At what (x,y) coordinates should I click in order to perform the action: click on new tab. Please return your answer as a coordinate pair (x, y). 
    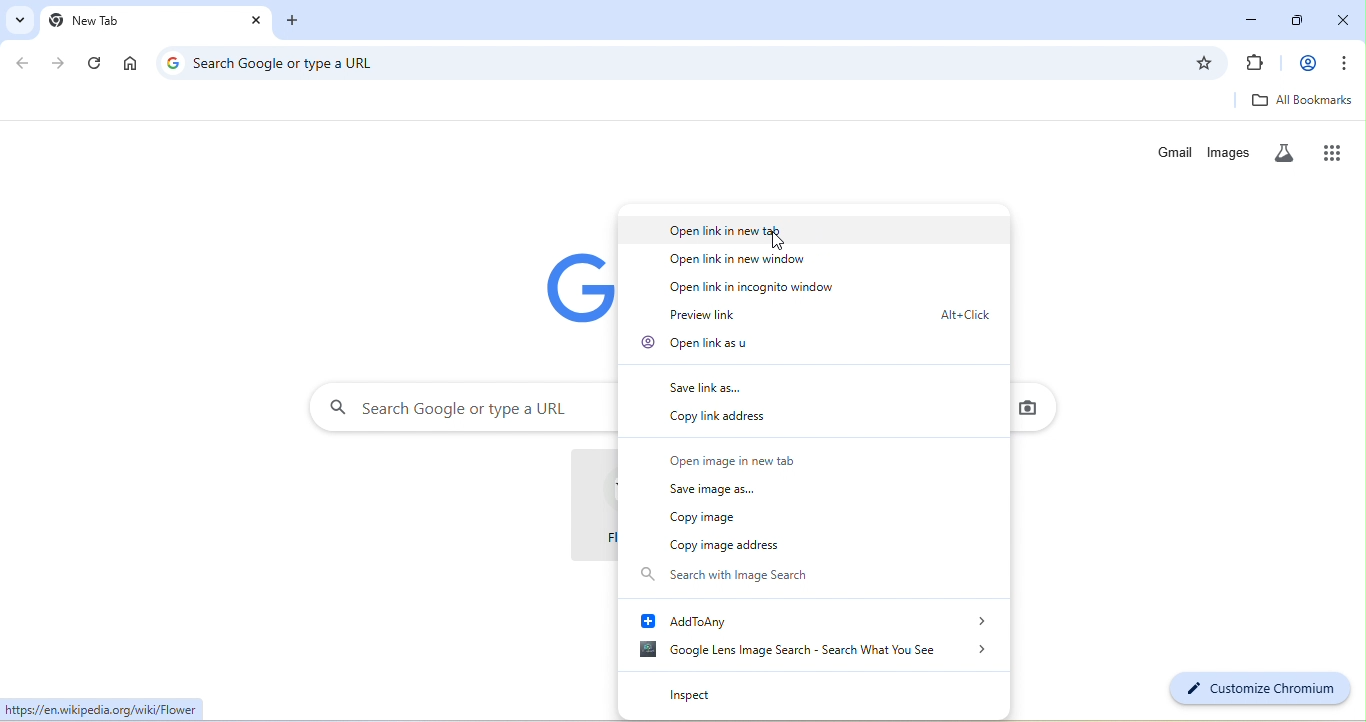
    Looking at the image, I should click on (300, 22).